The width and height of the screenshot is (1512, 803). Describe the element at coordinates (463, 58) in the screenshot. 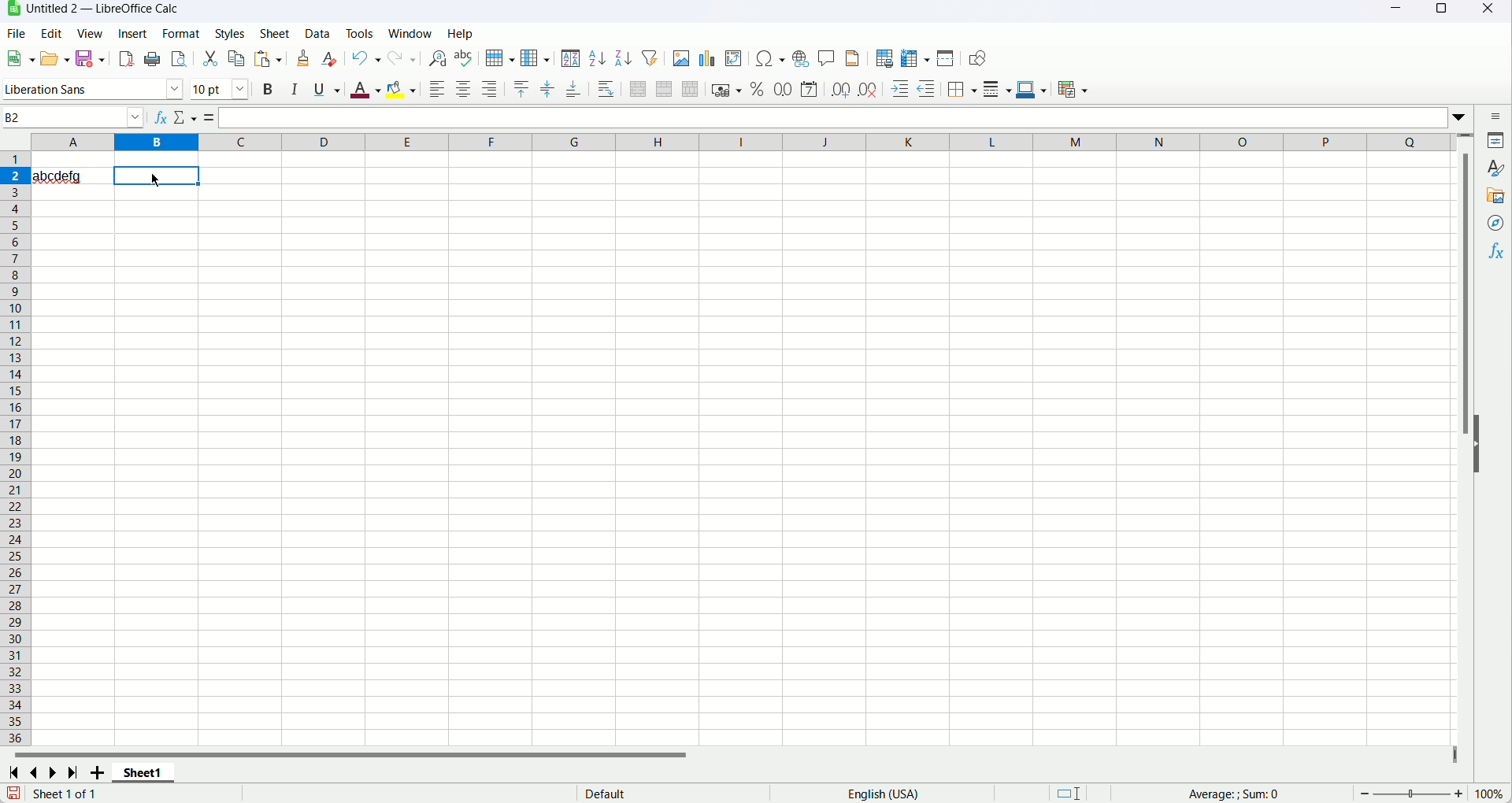

I see `spelling` at that location.